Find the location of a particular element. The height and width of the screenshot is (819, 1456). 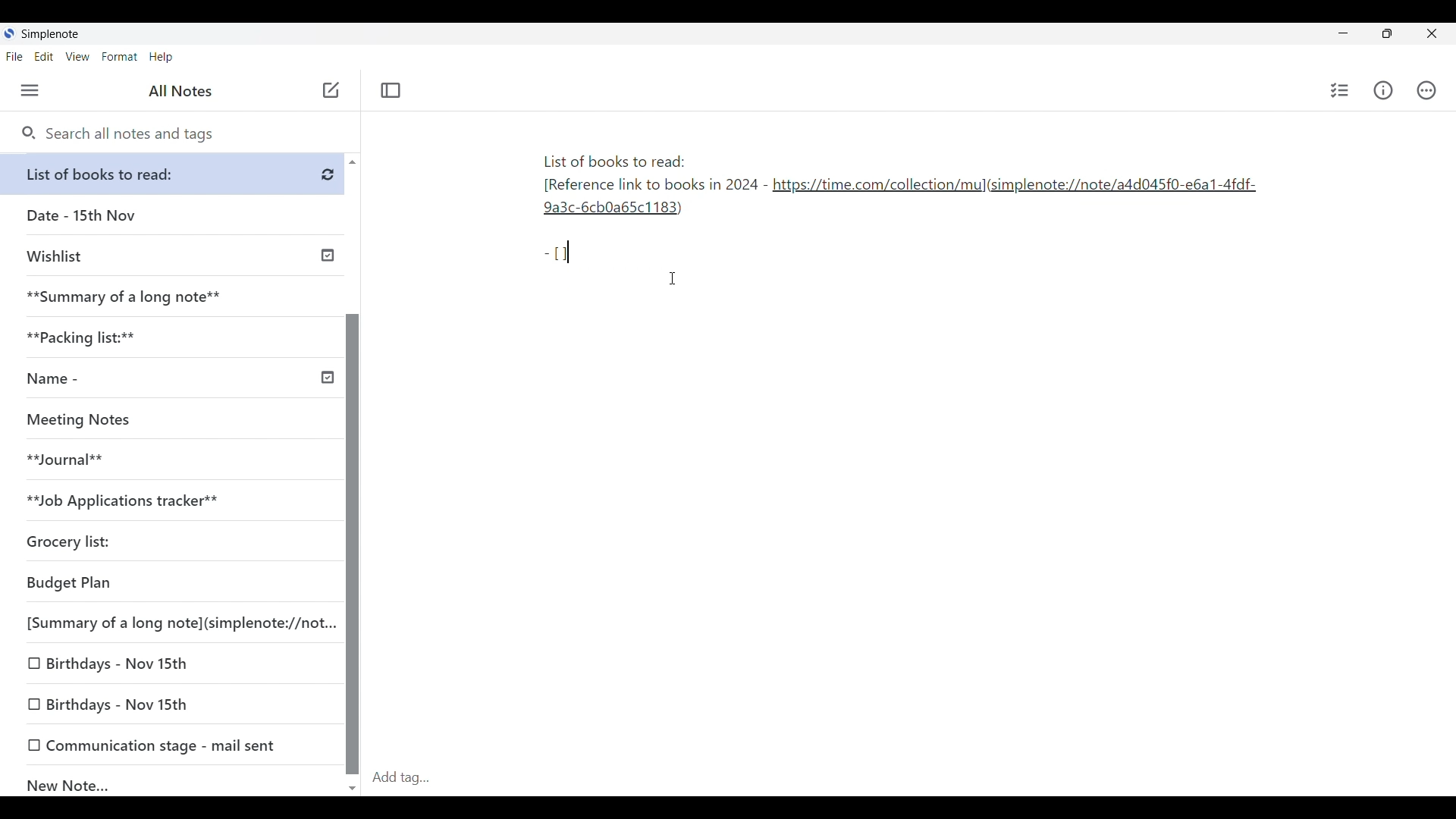

Insert checklist is located at coordinates (1340, 90).